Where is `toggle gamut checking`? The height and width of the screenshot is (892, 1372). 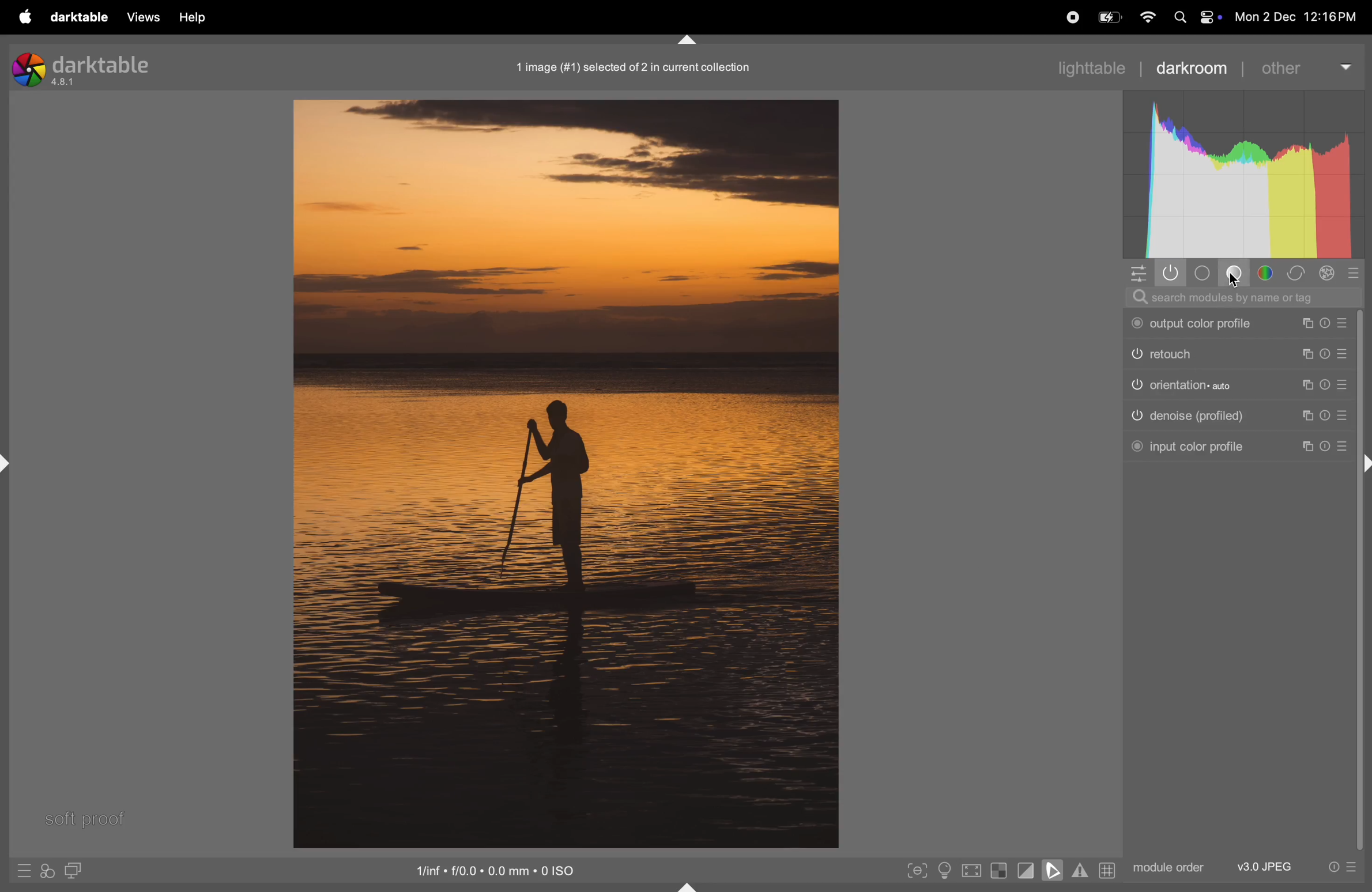 toggle gamut checking is located at coordinates (1080, 870).